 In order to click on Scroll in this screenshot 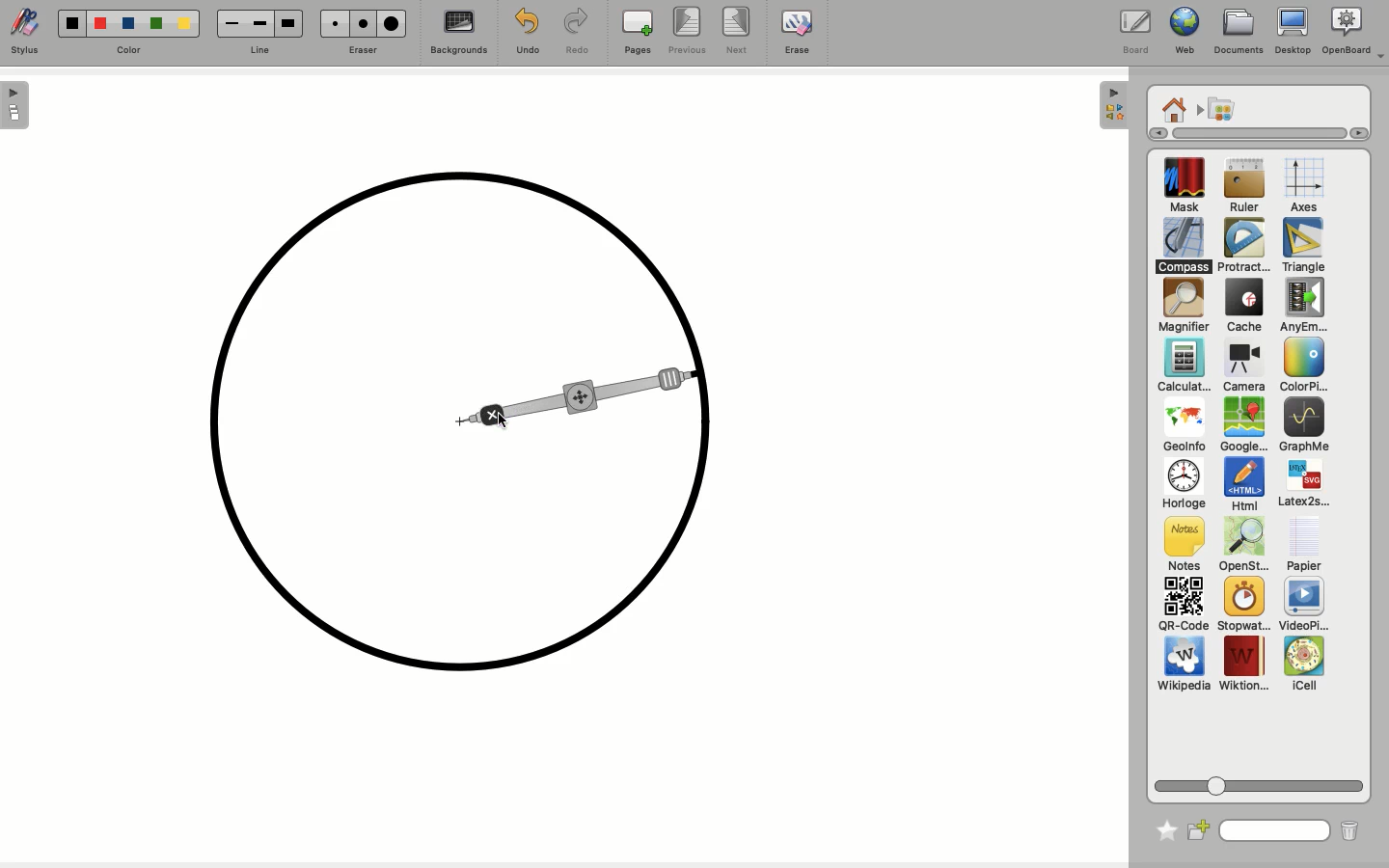, I will do `click(1262, 782)`.